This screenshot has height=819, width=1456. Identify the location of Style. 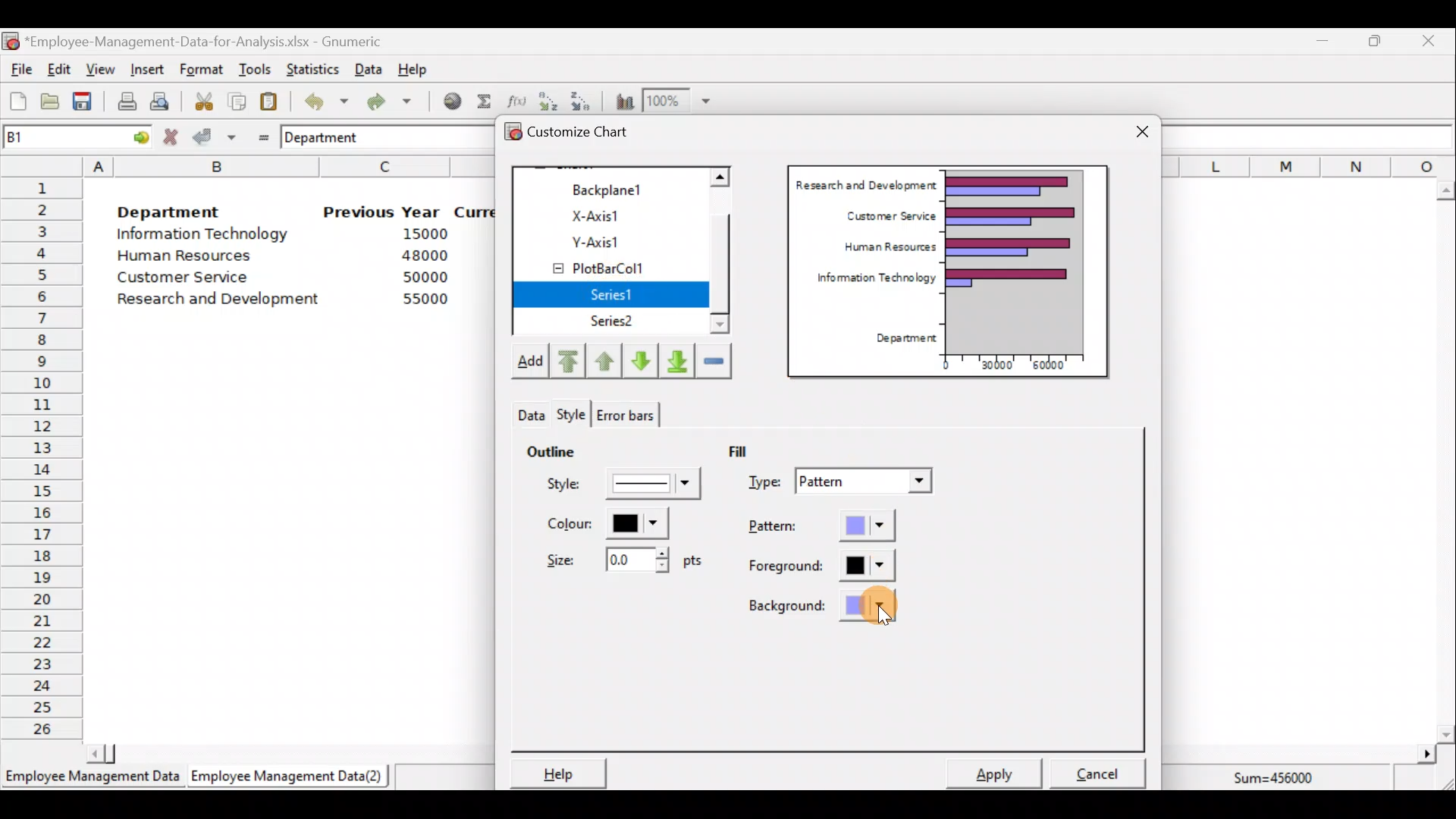
(626, 488).